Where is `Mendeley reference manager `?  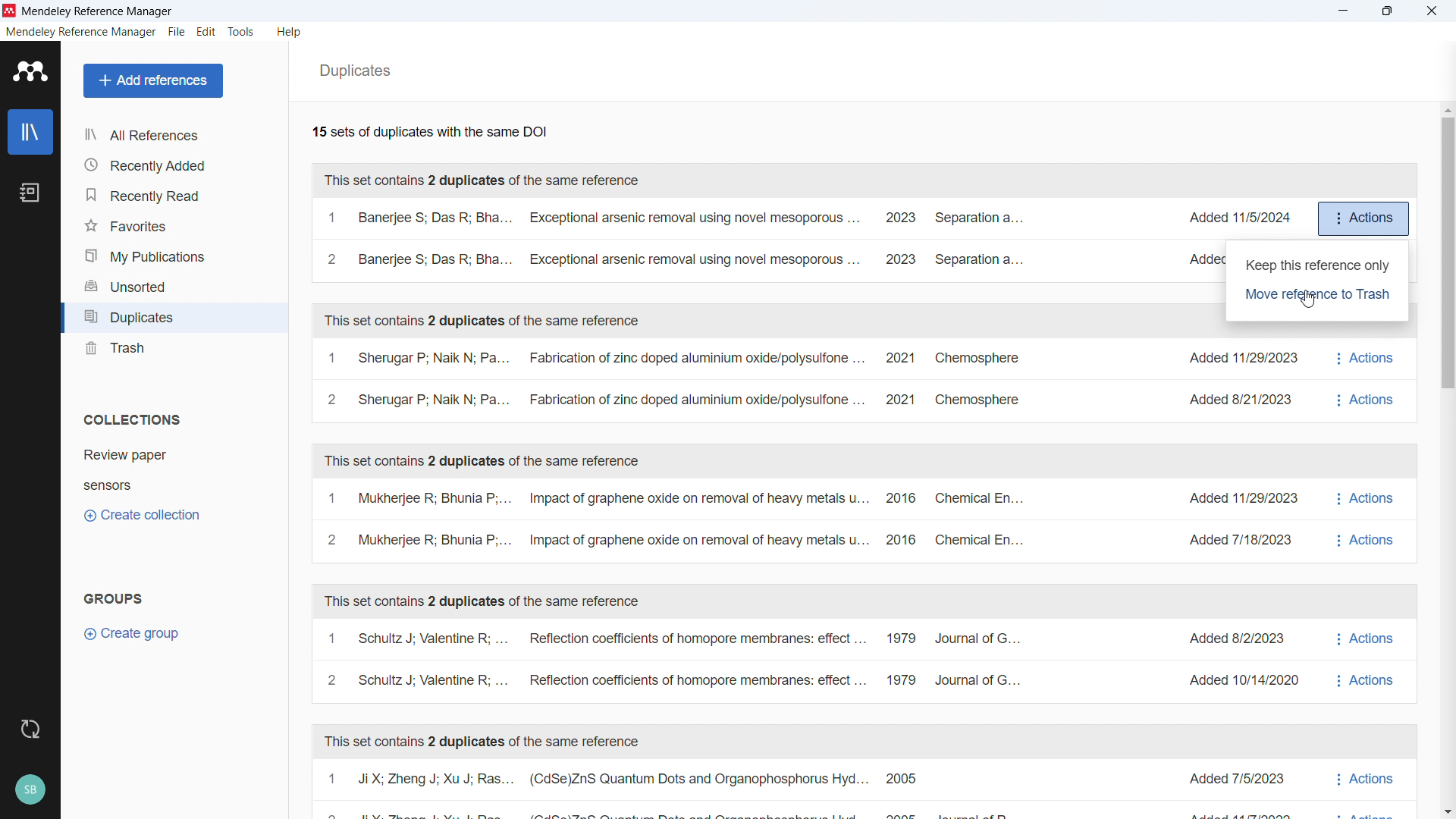 Mendeley reference manager  is located at coordinates (83, 33).